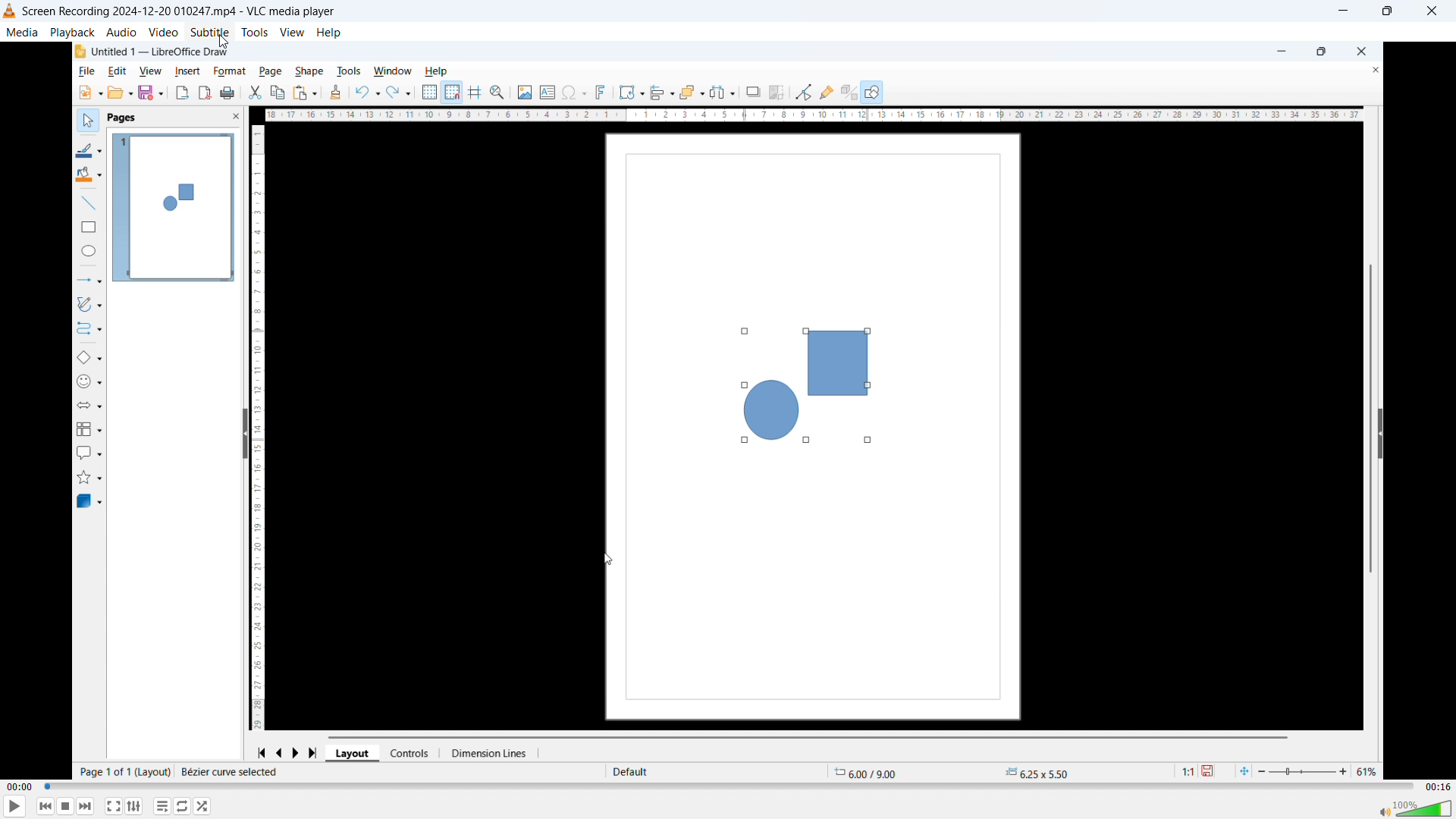 This screenshot has height=819, width=1456. Describe the element at coordinates (93, 306) in the screenshot. I see `curve and polygons` at that location.